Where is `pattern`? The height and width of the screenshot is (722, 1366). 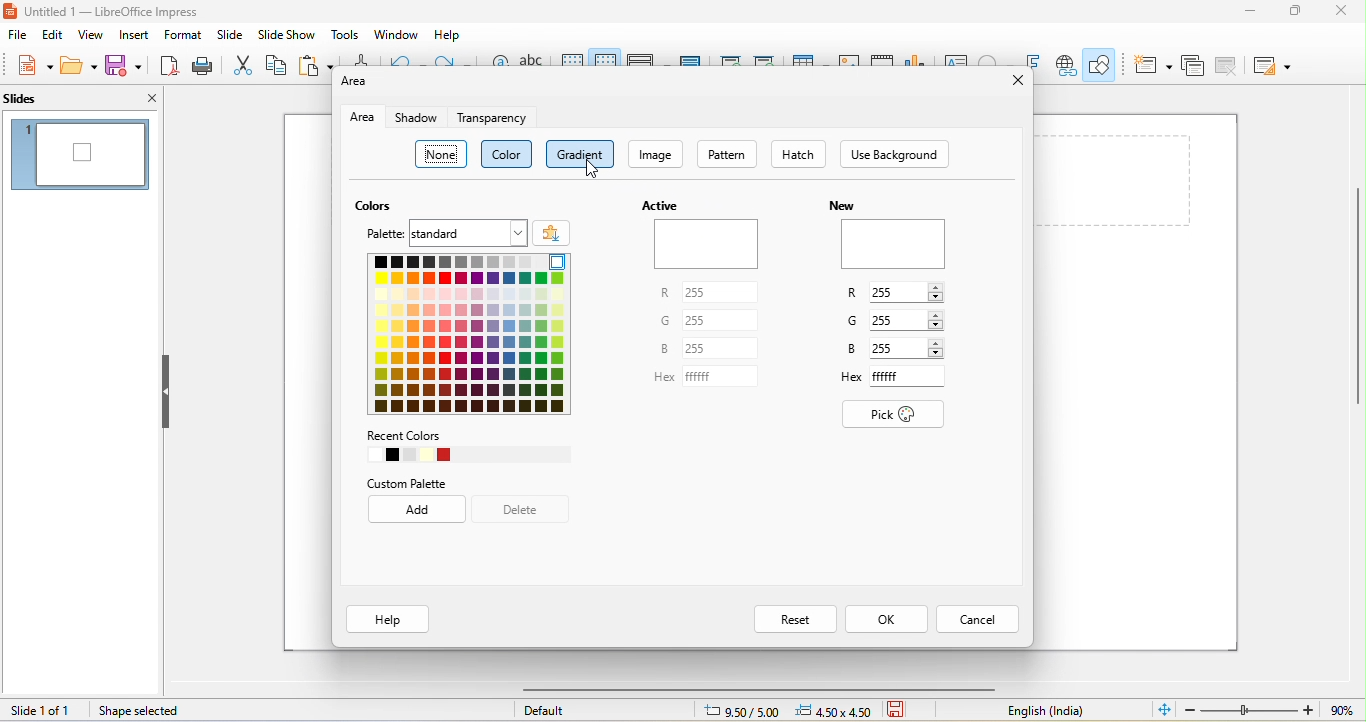
pattern is located at coordinates (730, 155).